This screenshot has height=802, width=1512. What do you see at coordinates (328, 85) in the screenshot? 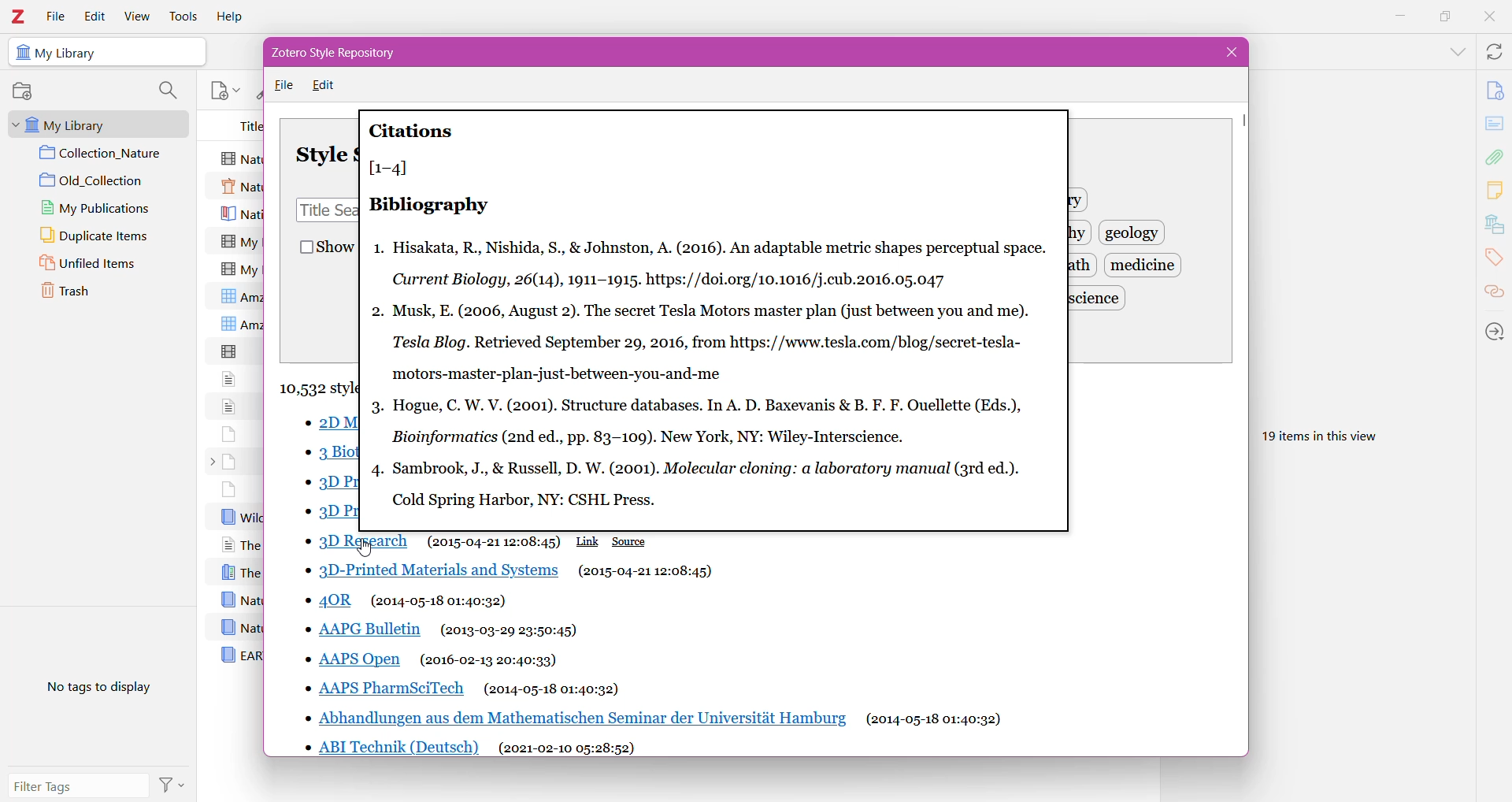
I see `Edit` at bounding box center [328, 85].